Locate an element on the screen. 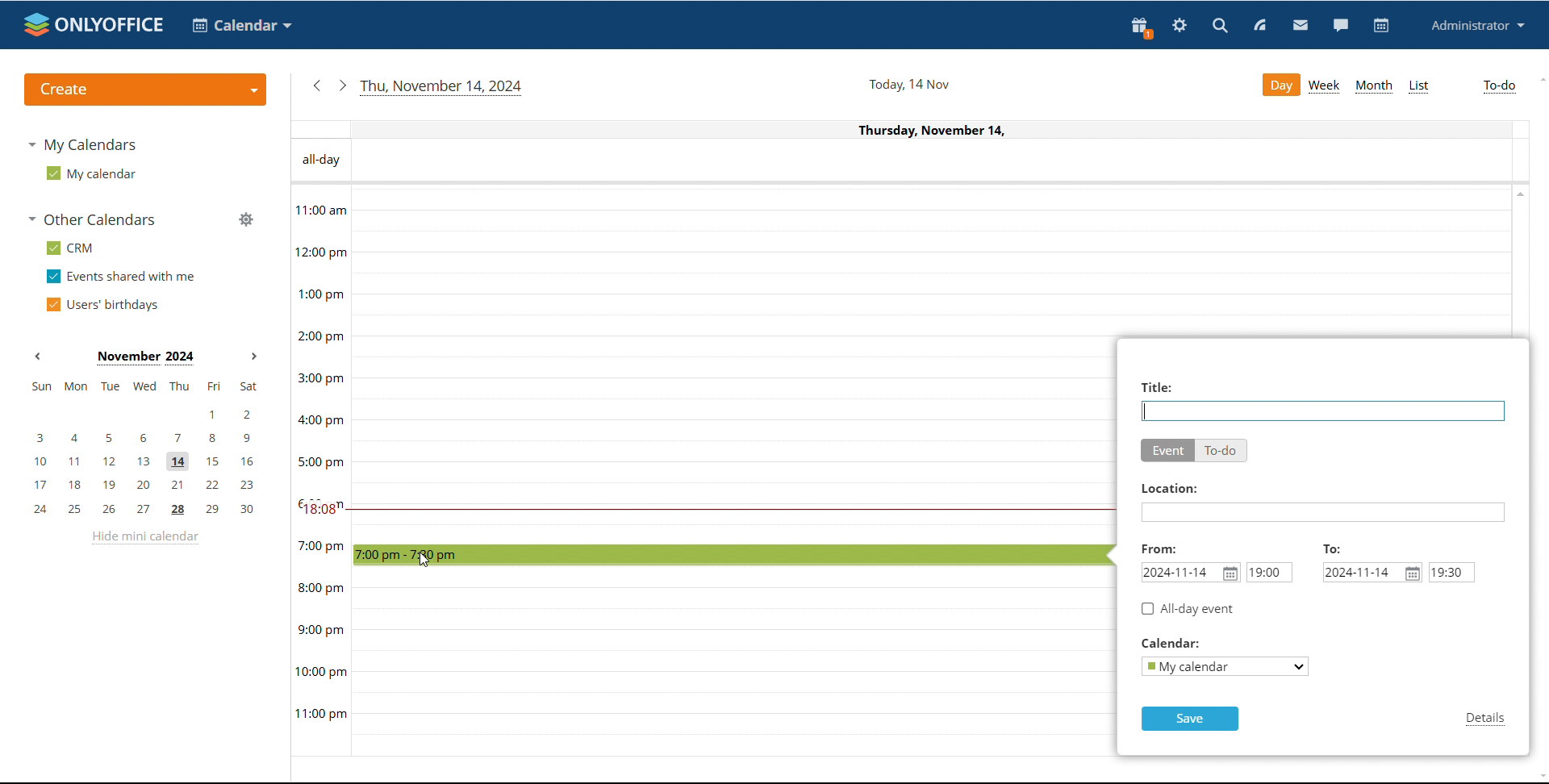 The height and width of the screenshot is (784, 1549). timeline is located at coordinates (322, 470).